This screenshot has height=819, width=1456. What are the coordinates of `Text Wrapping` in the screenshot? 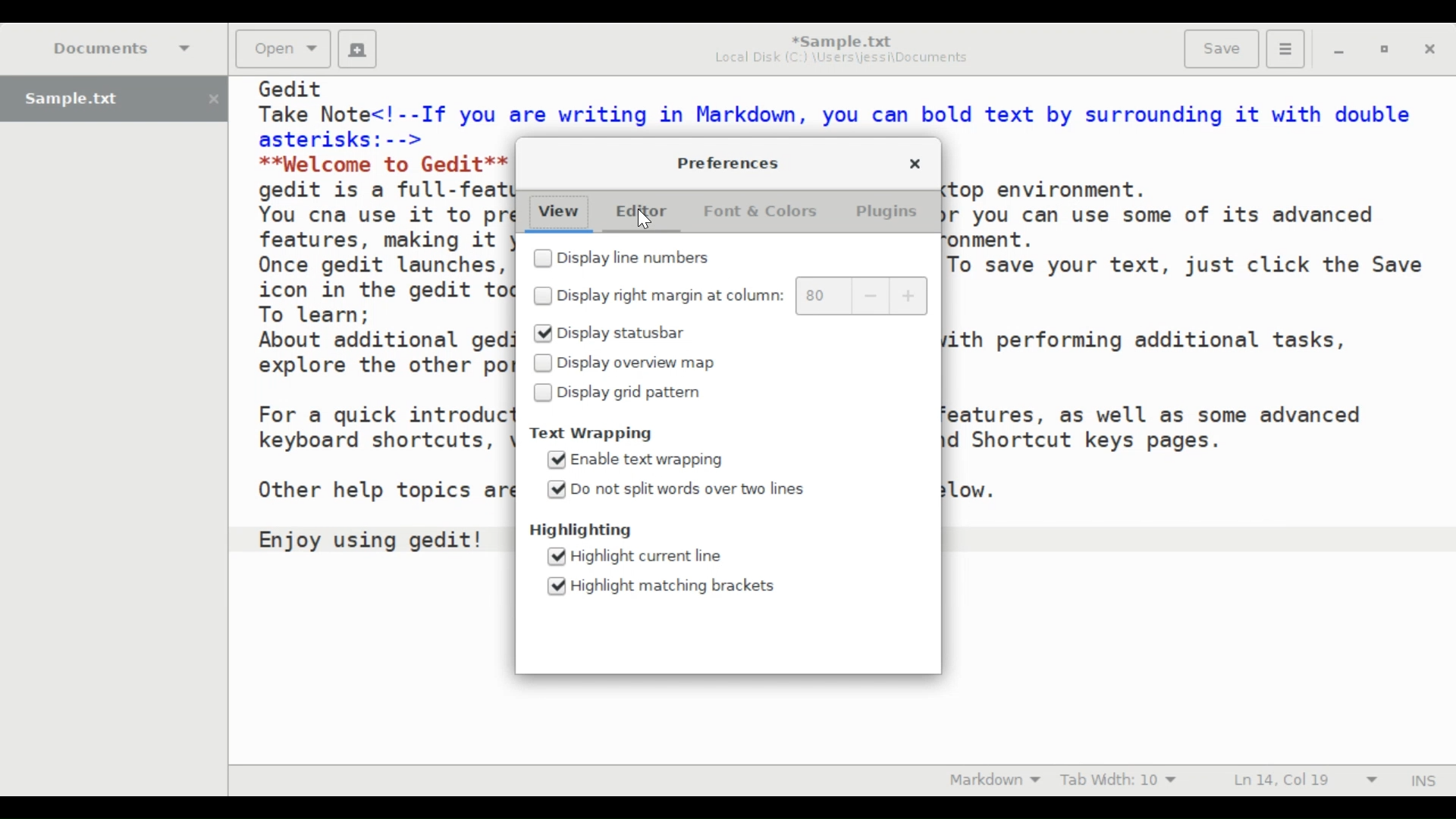 It's located at (599, 435).